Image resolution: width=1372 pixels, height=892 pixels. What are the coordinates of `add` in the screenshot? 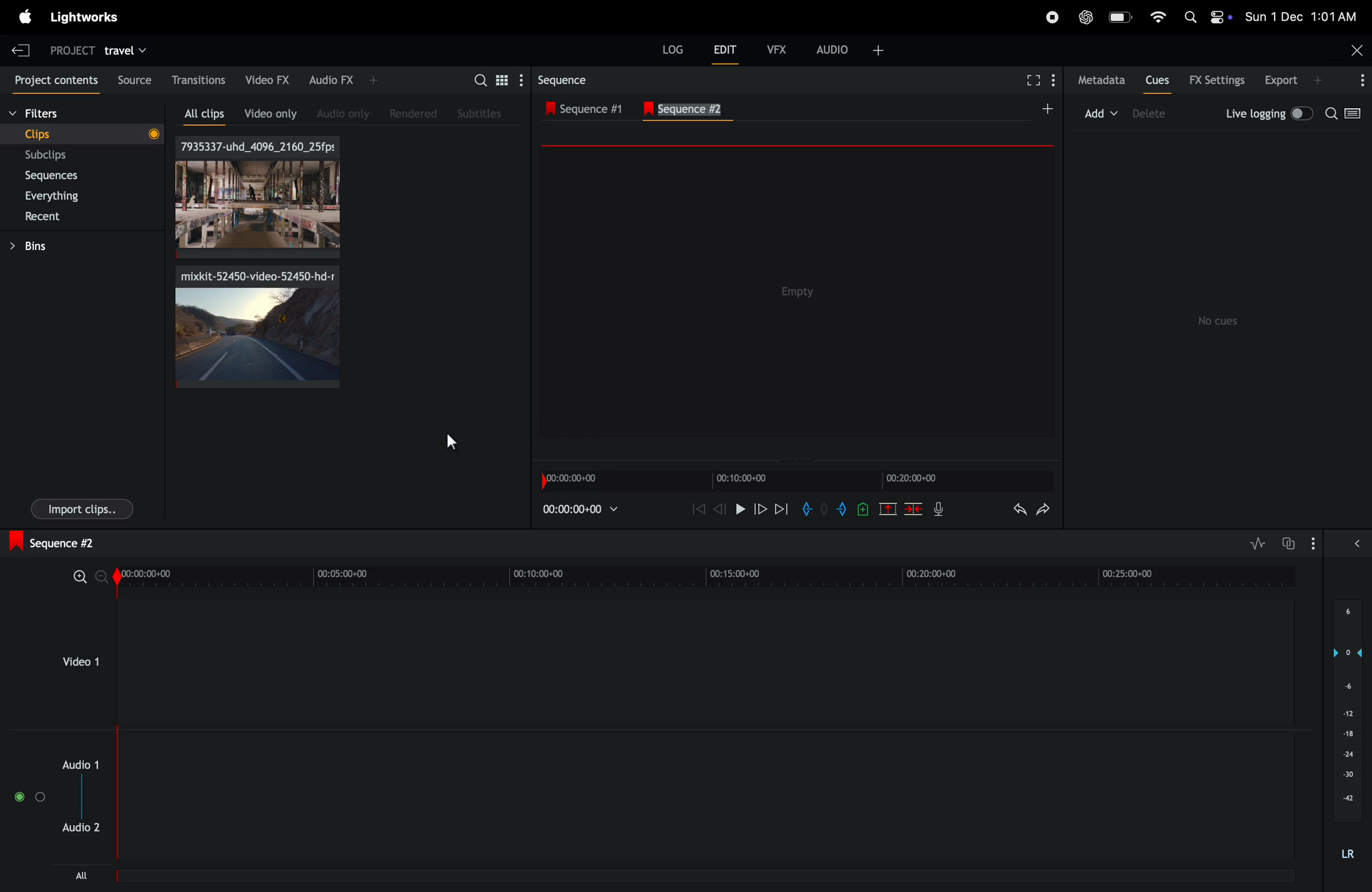 It's located at (1101, 111).